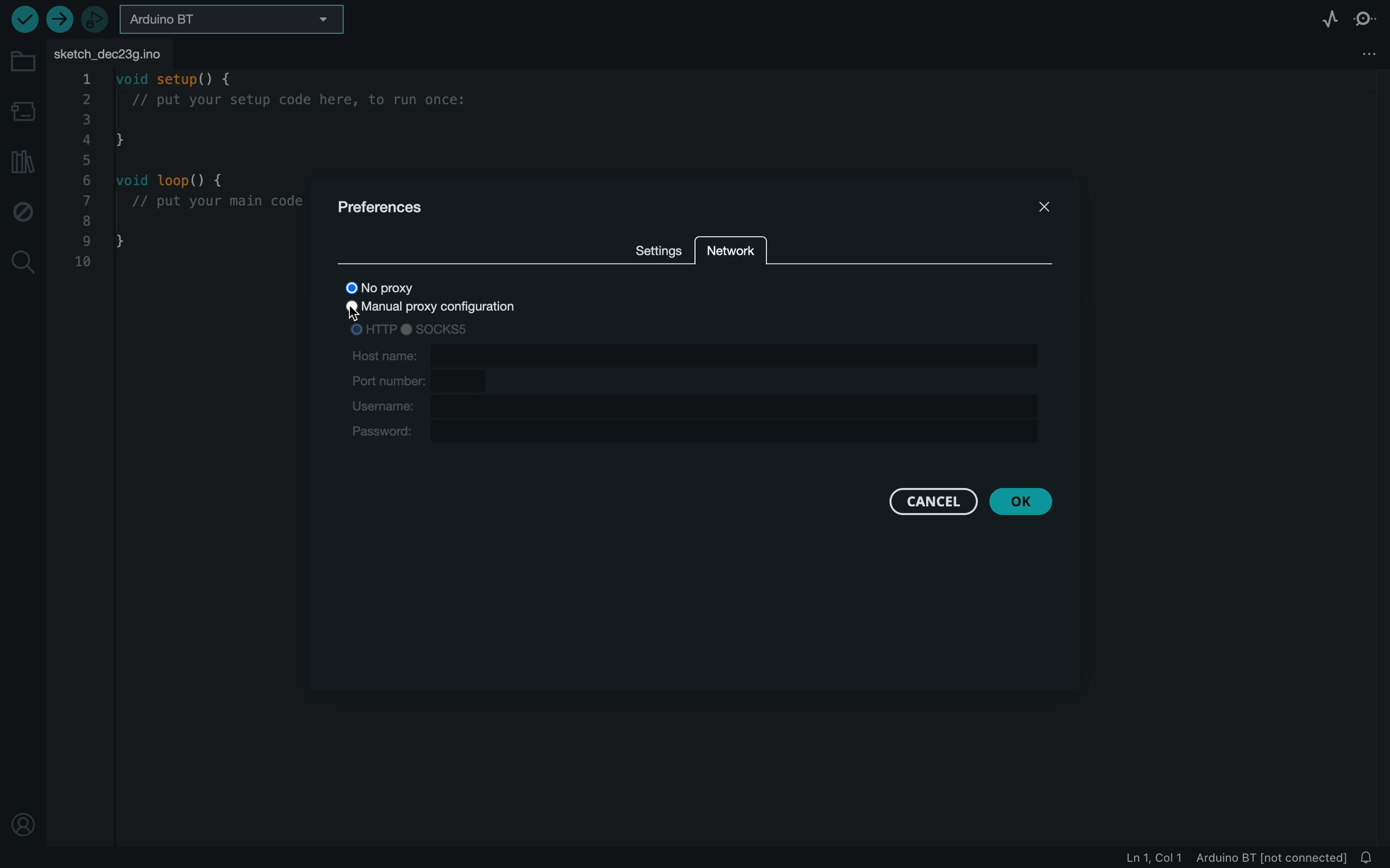  What do you see at coordinates (111, 52) in the screenshot?
I see `file tab` at bounding box center [111, 52].